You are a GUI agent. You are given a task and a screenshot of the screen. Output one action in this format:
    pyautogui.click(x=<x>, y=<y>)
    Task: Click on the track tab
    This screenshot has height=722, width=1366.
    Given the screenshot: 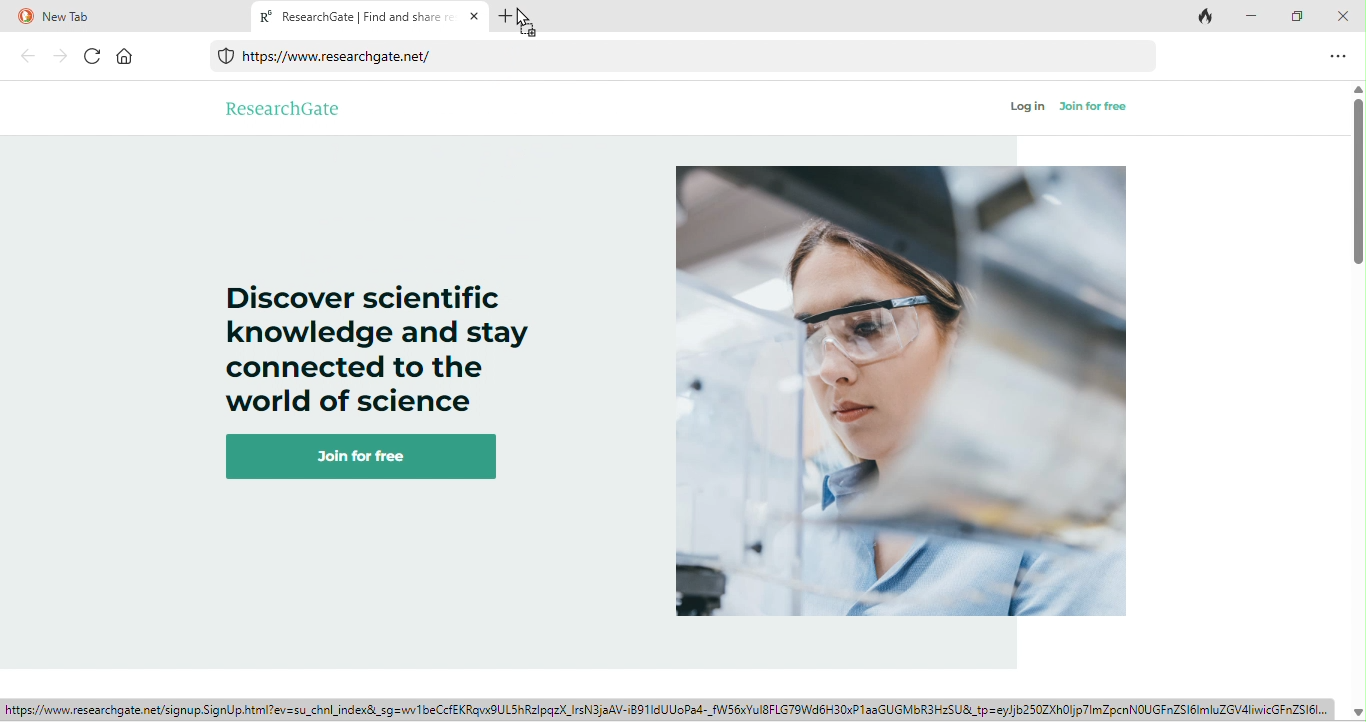 What is the action you would take?
    pyautogui.click(x=1207, y=18)
    